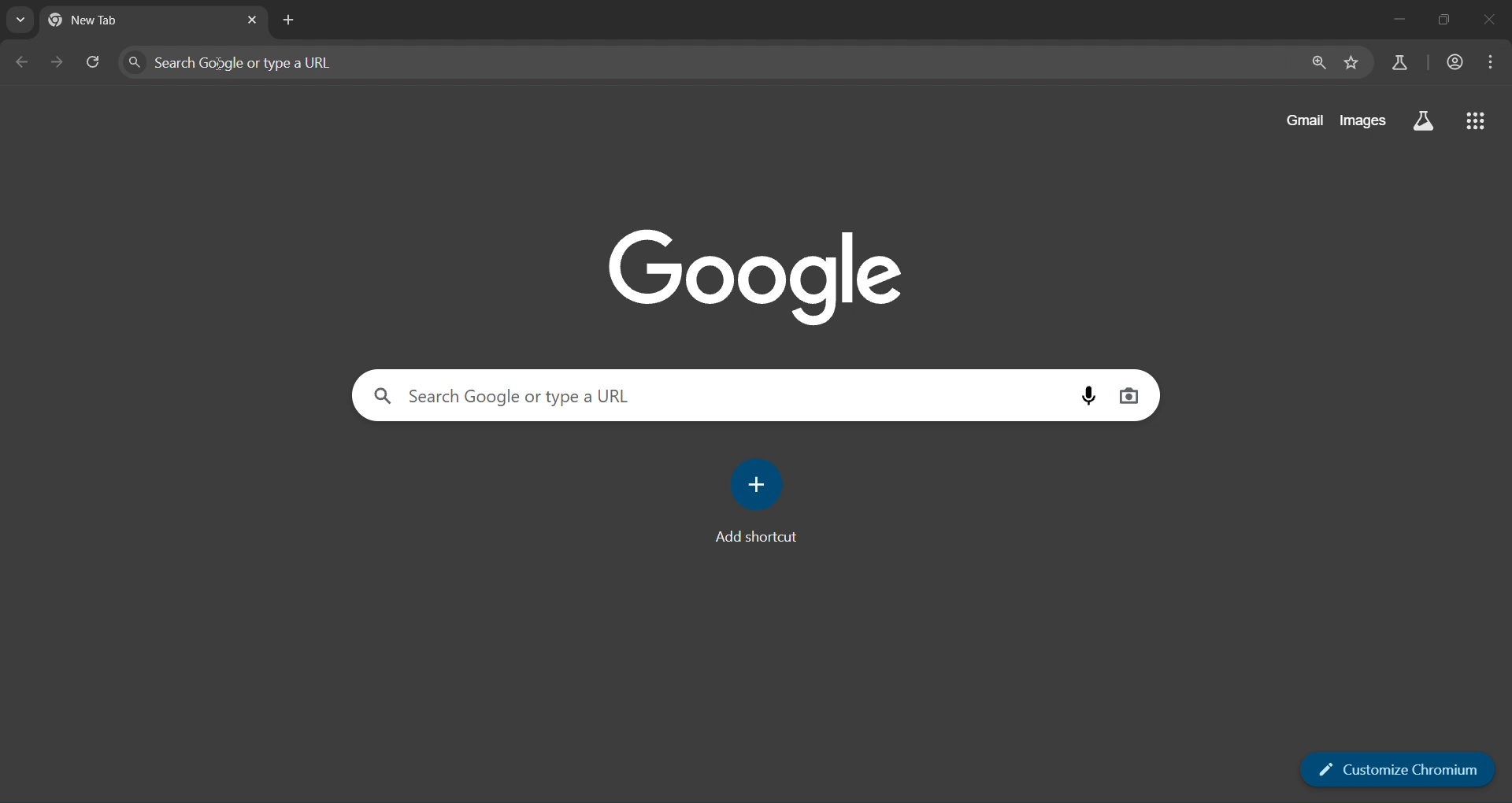 This screenshot has height=803, width=1512. Describe the element at coordinates (1397, 64) in the screenshot. I see `search labs` at that location.